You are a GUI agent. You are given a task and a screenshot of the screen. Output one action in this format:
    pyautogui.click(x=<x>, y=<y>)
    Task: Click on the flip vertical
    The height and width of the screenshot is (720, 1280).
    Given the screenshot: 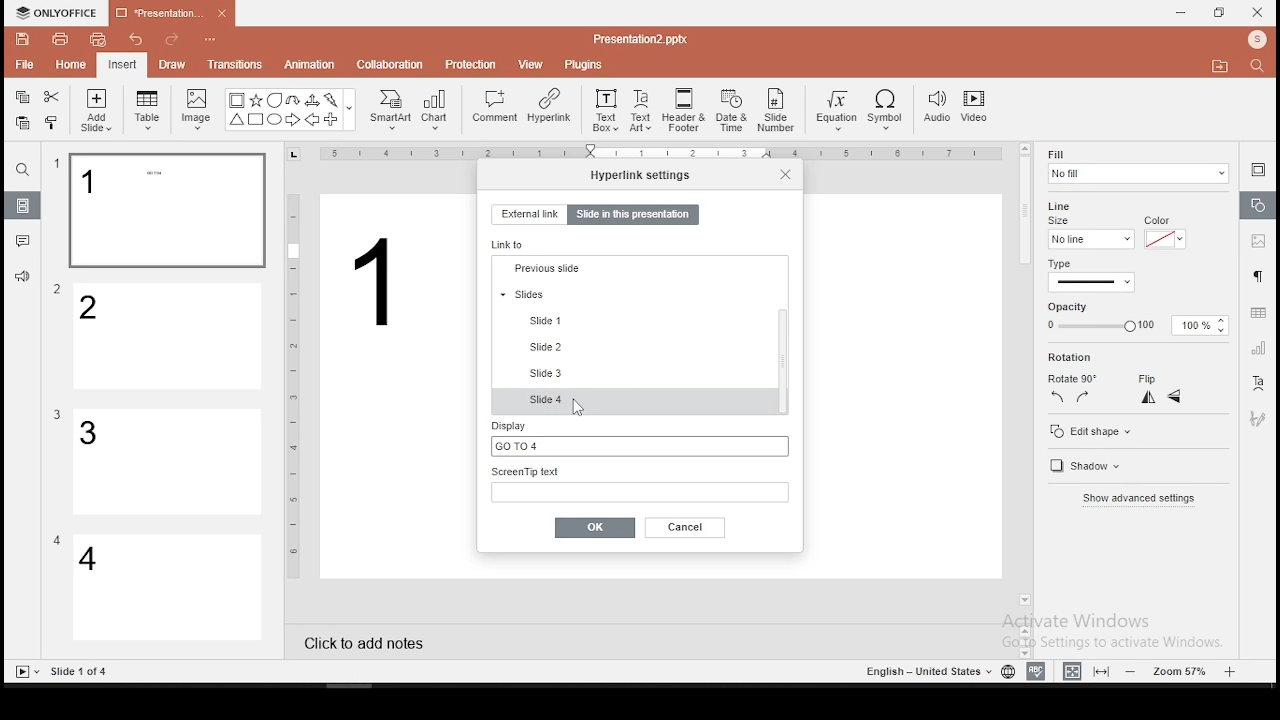 What is the action you would take?
    pyautogui.click(x=1176, y=399)
    